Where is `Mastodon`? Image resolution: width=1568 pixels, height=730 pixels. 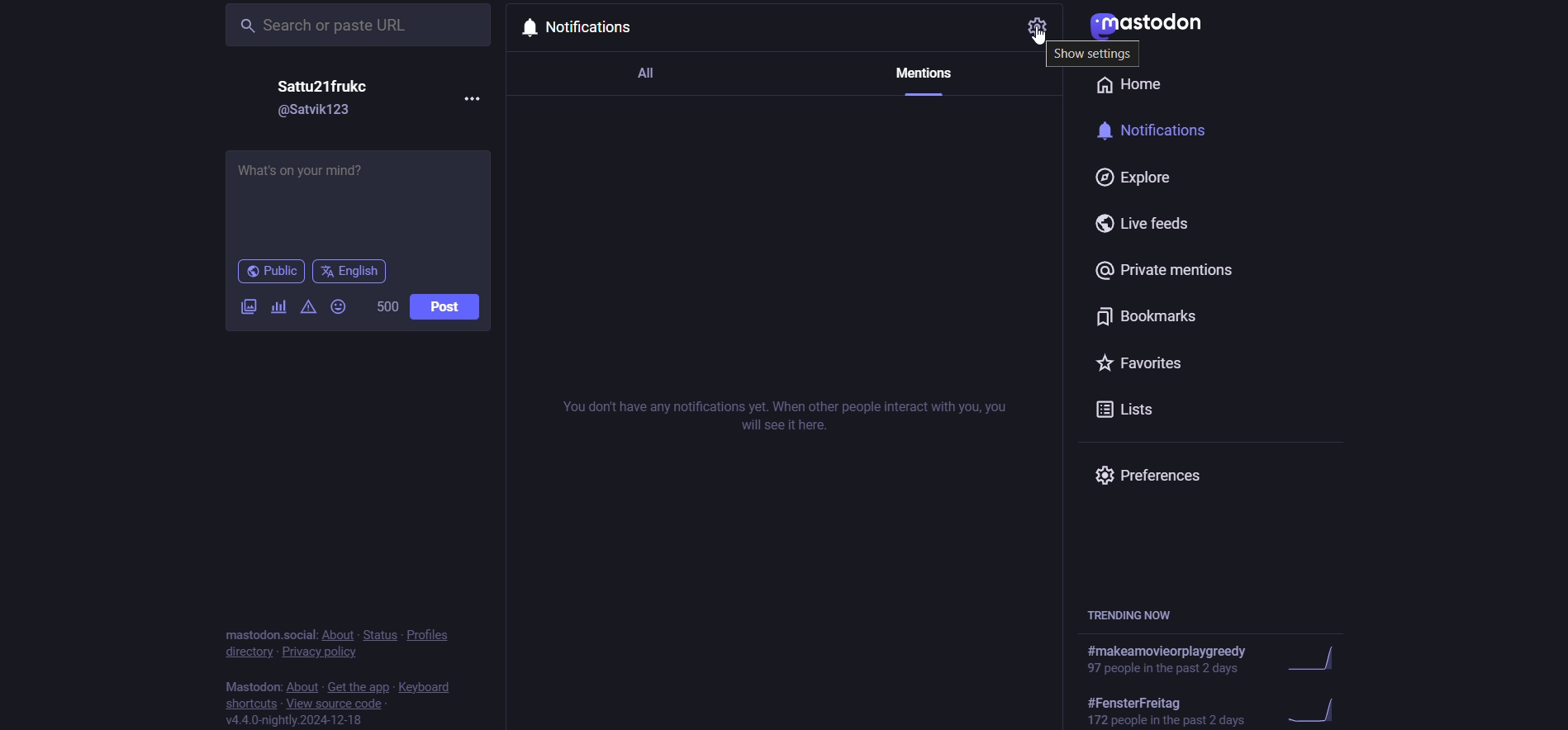 Mastodon is located at coordinates (250, 687).